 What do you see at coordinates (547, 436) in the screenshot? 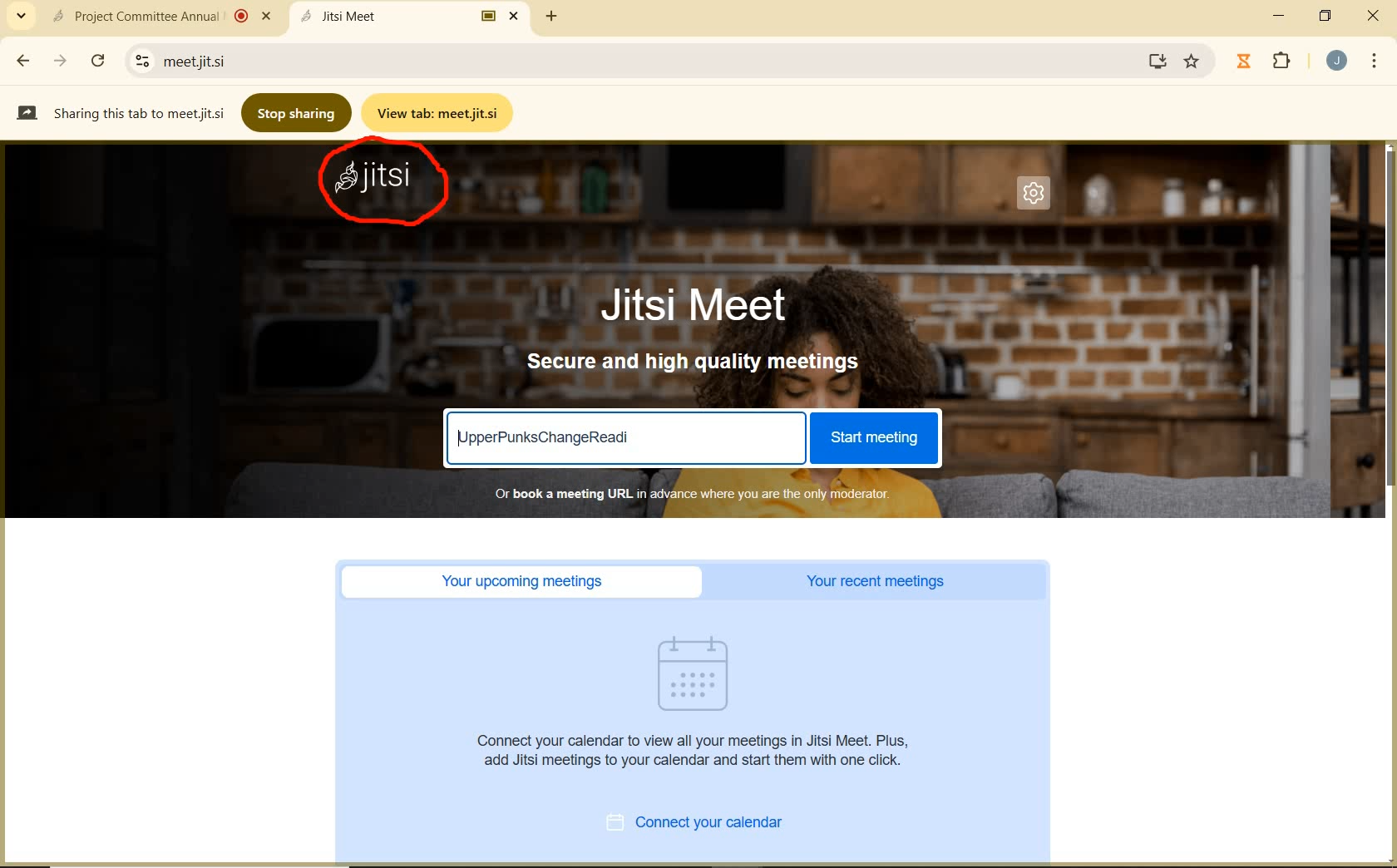
I see `UpperPunksChangeReadi` at bounding box center [547, 436].